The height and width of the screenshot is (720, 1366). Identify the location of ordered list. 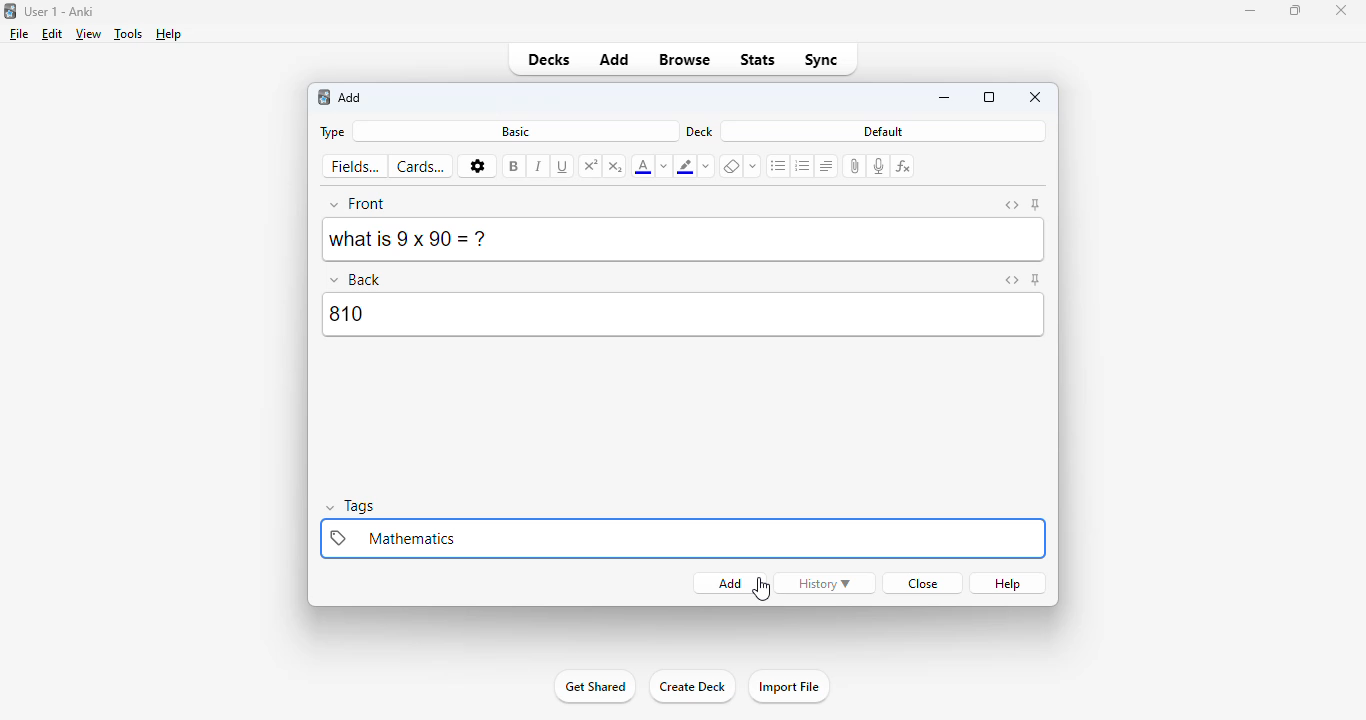
(803, 166).